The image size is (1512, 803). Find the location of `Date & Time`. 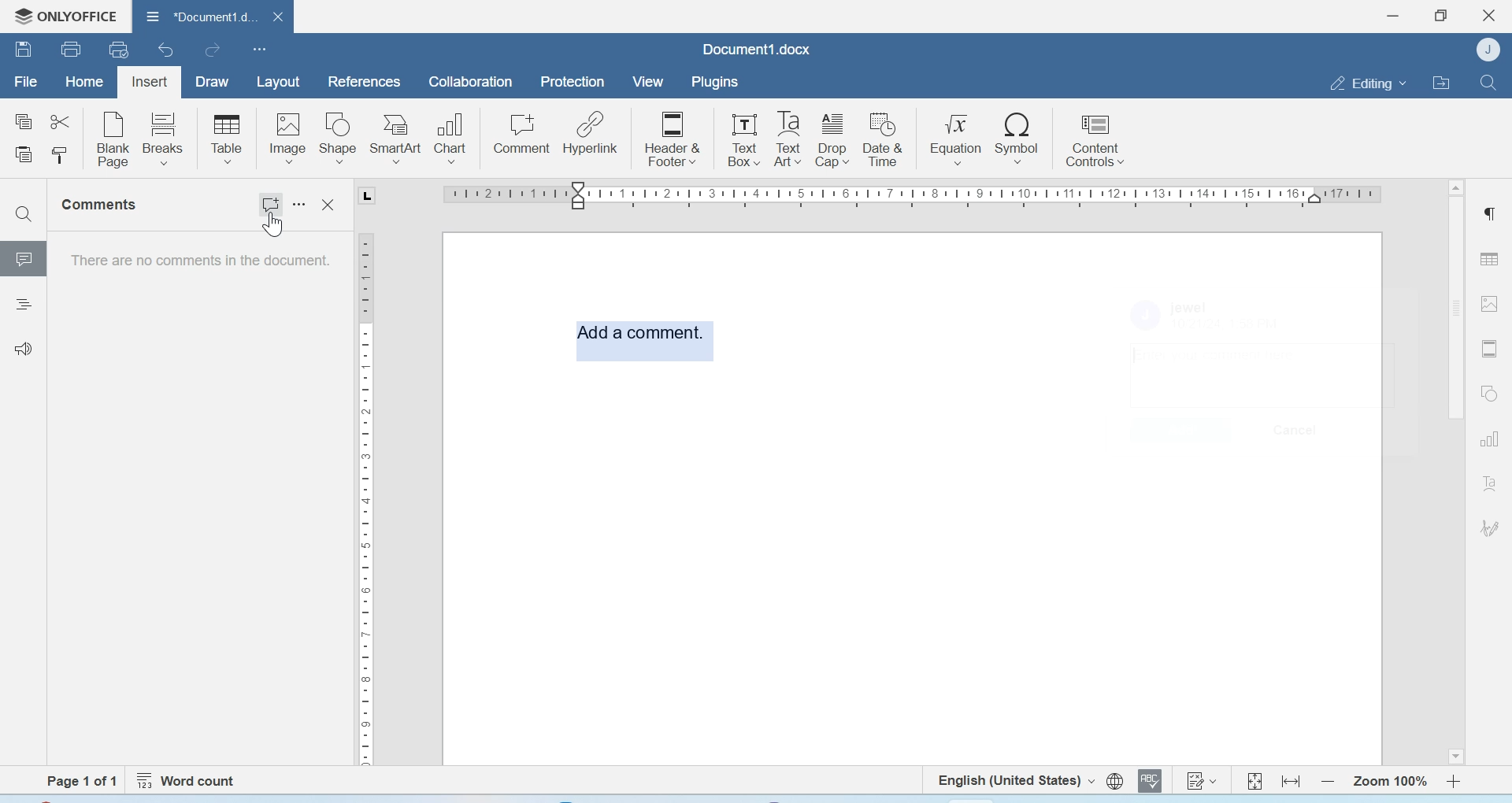

Date & Time is located at coordinates (884, 139).